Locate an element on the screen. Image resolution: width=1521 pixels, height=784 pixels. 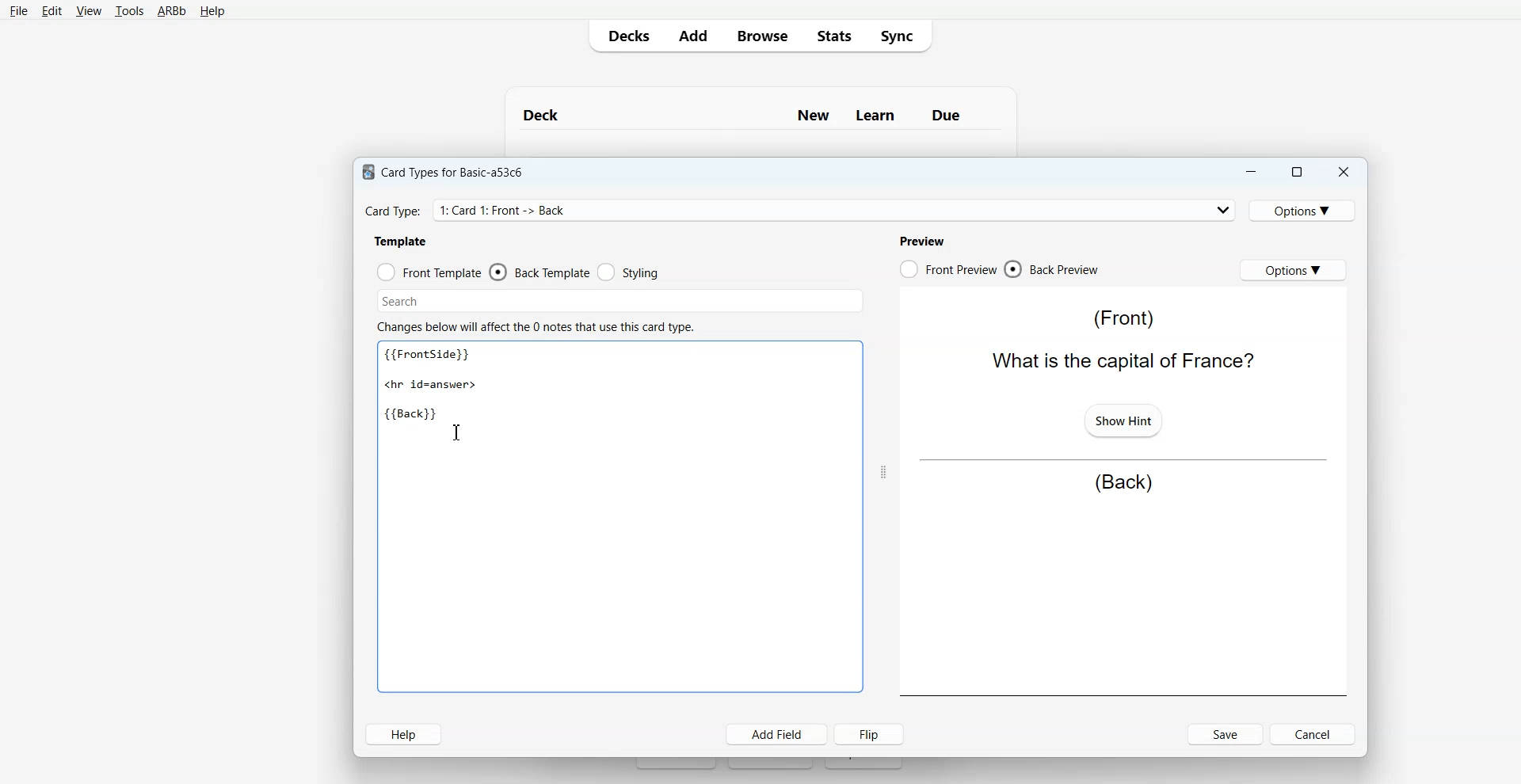
Card Types for Basic-a53c6 is located at coordinates (444, 171).